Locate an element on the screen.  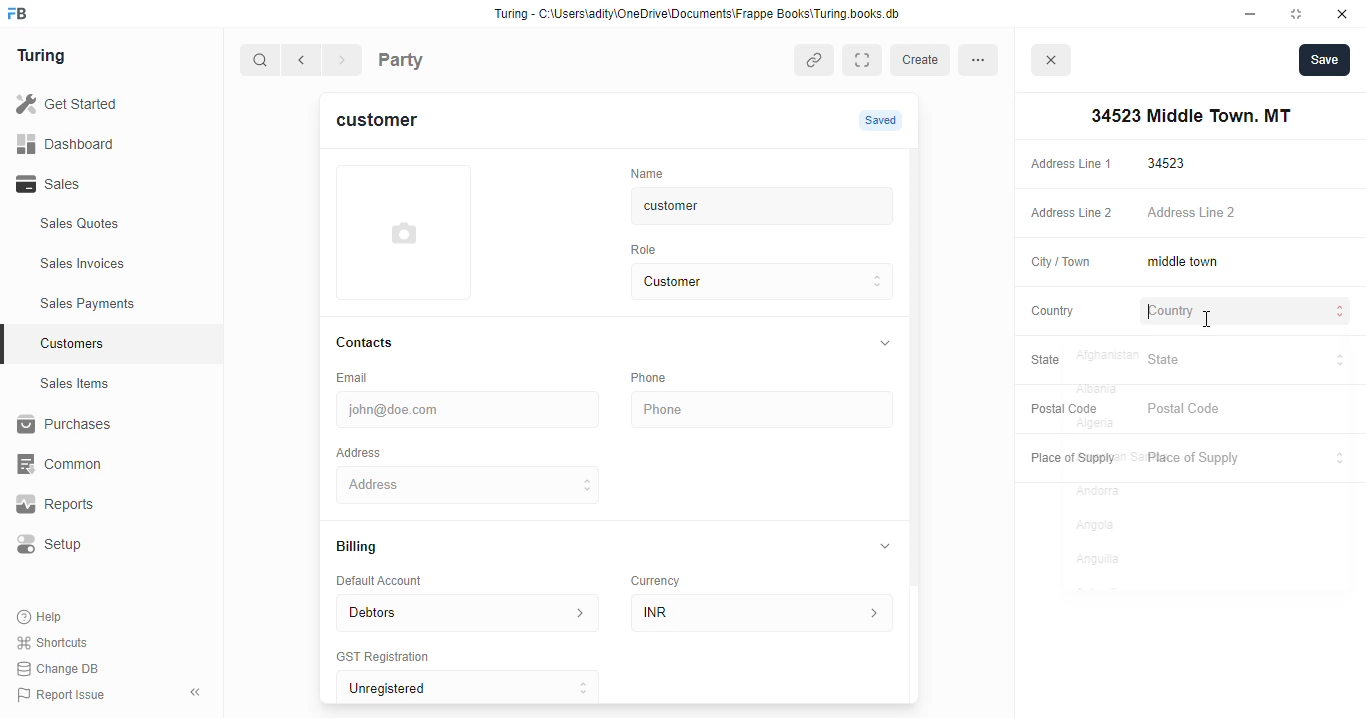
john@doe.com is located at coordinates (471, 407).